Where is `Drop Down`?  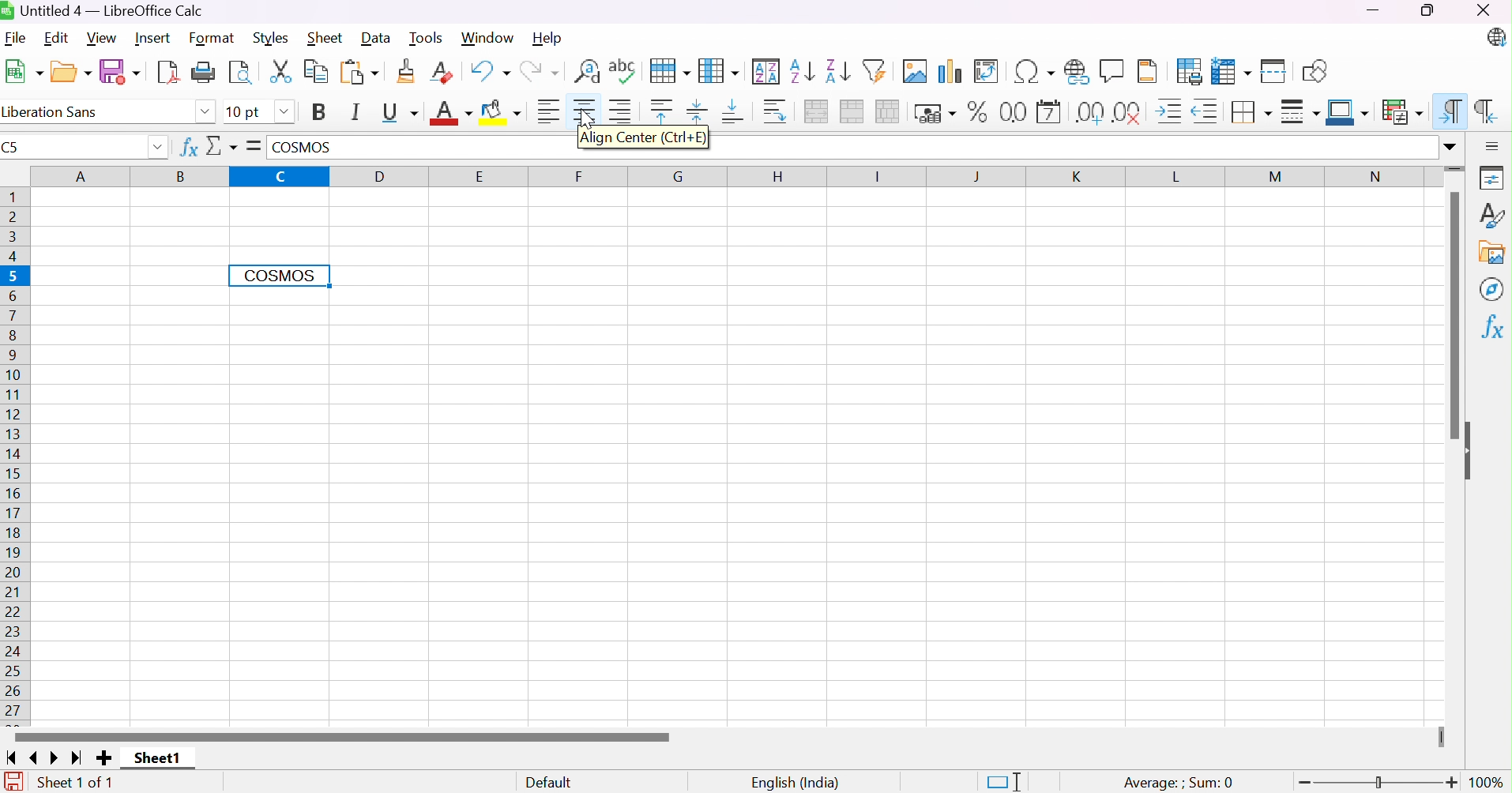
Drop Down is located at coordinates (205, 110).